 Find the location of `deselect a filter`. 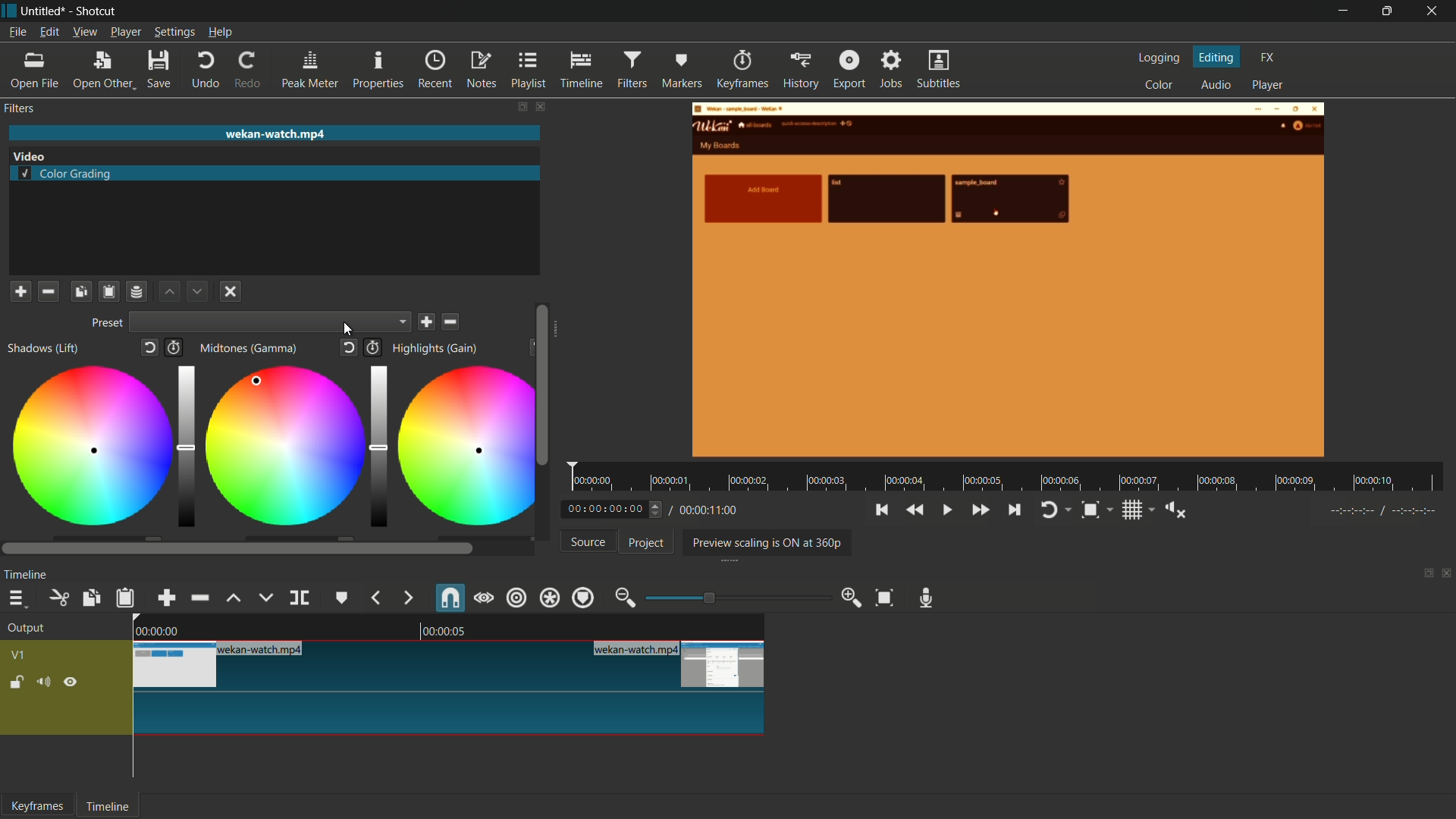

deselect a filter is located at coordinates (231, 290).